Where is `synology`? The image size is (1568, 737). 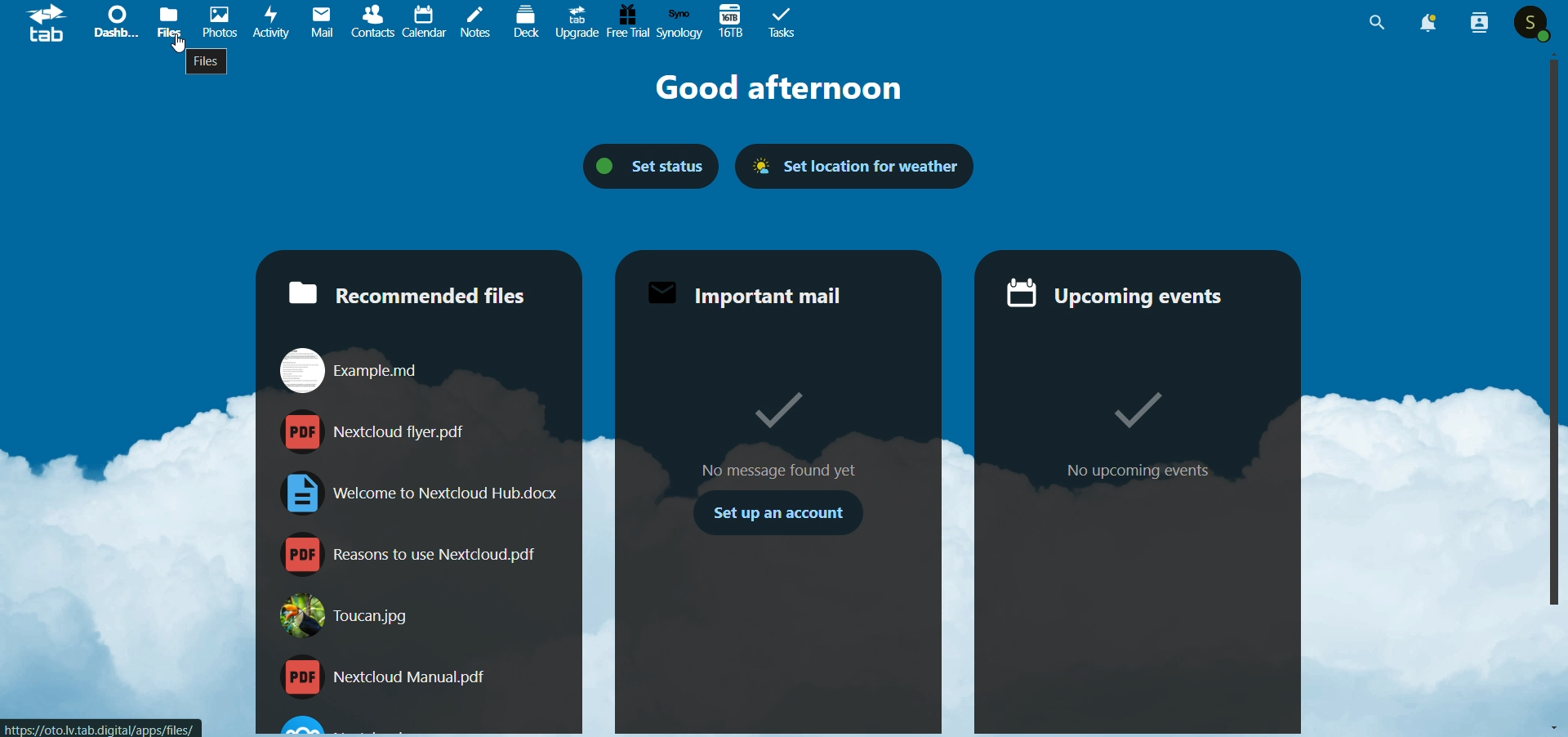 synology is located at coordinates (679, 23).